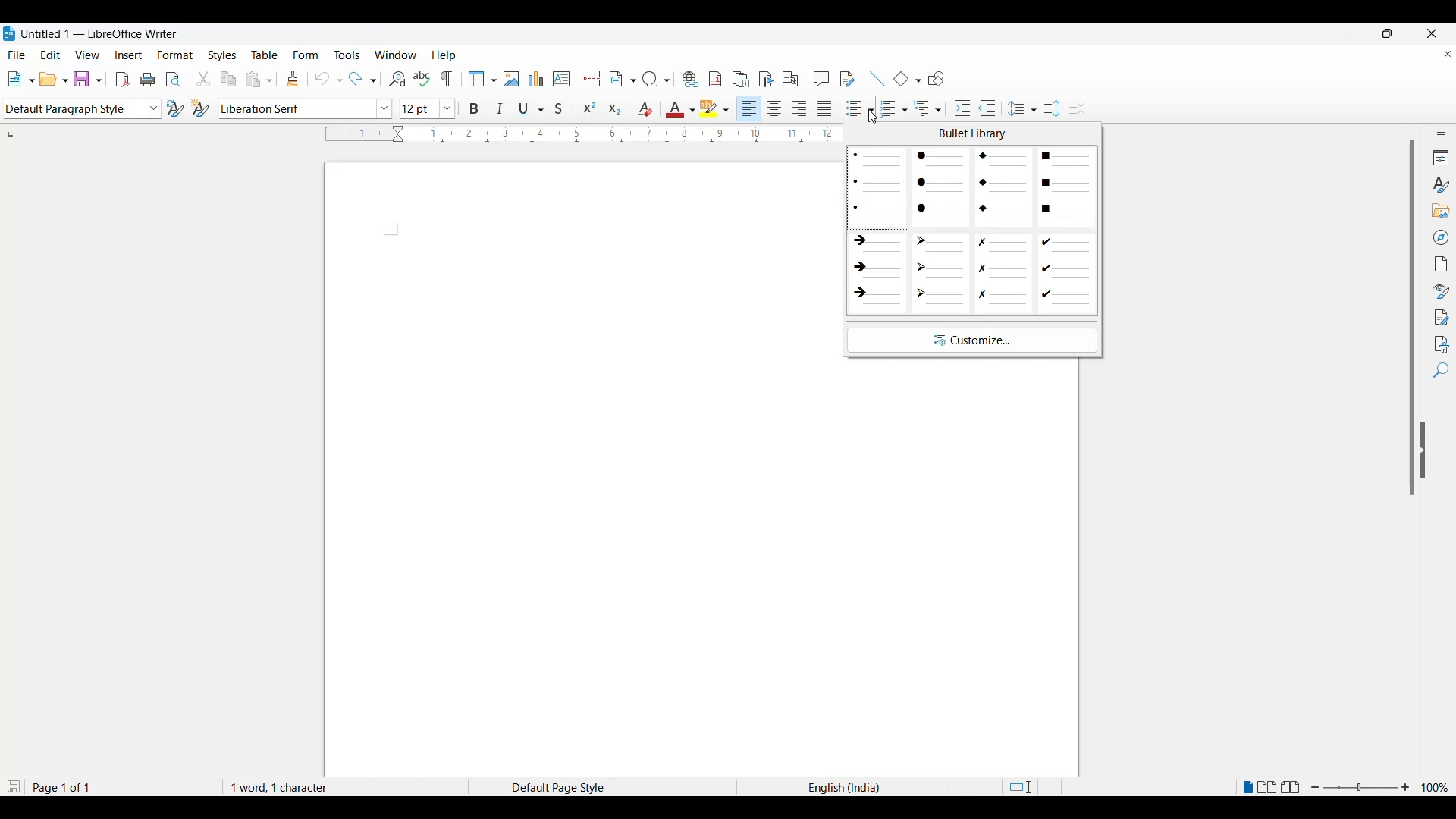 This screenshot has height=819, width=1456. What do you see at coordinates (149, 79) in the screenshot?
I see `print` at bounding box center [149, 79].